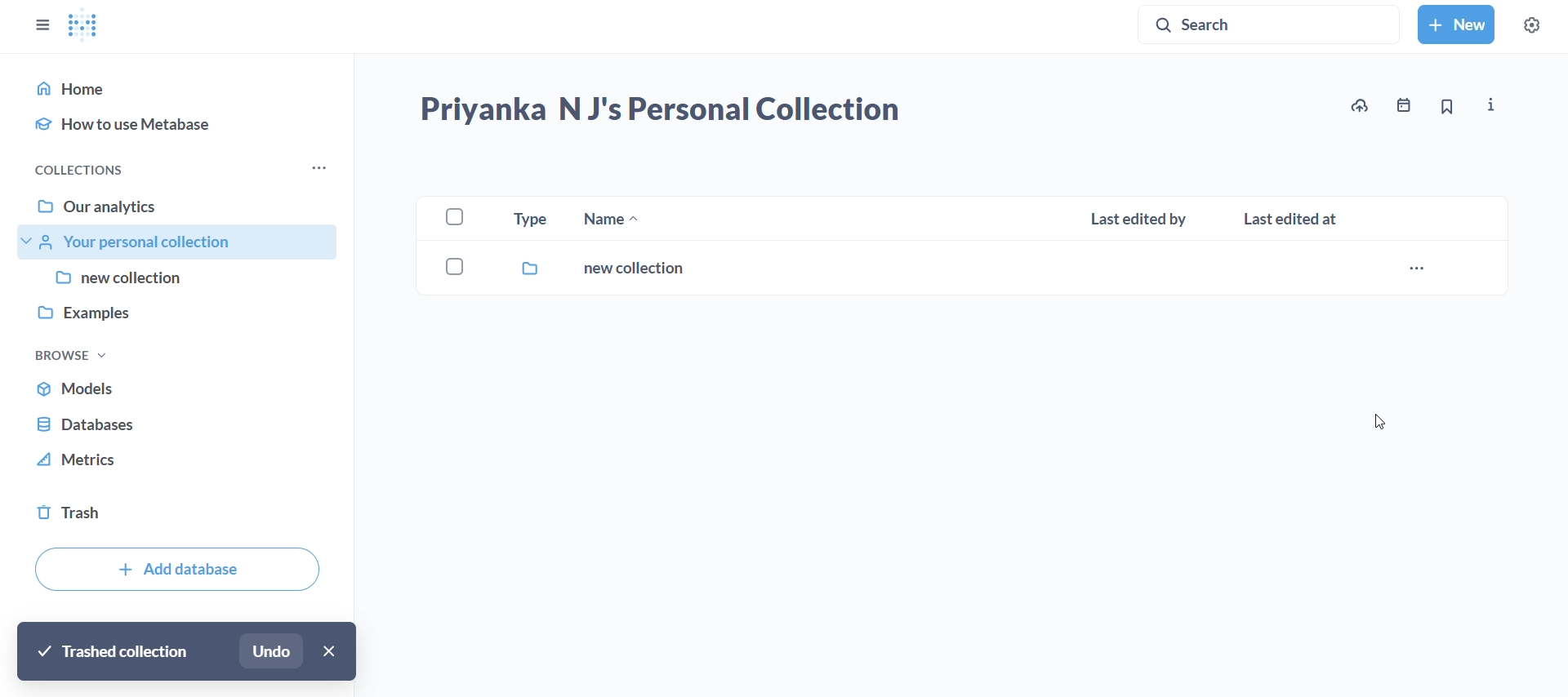  What do you see at coordinates (1418, 273) in the screenshot?
I see `more` at bounding box center [1418, 273].